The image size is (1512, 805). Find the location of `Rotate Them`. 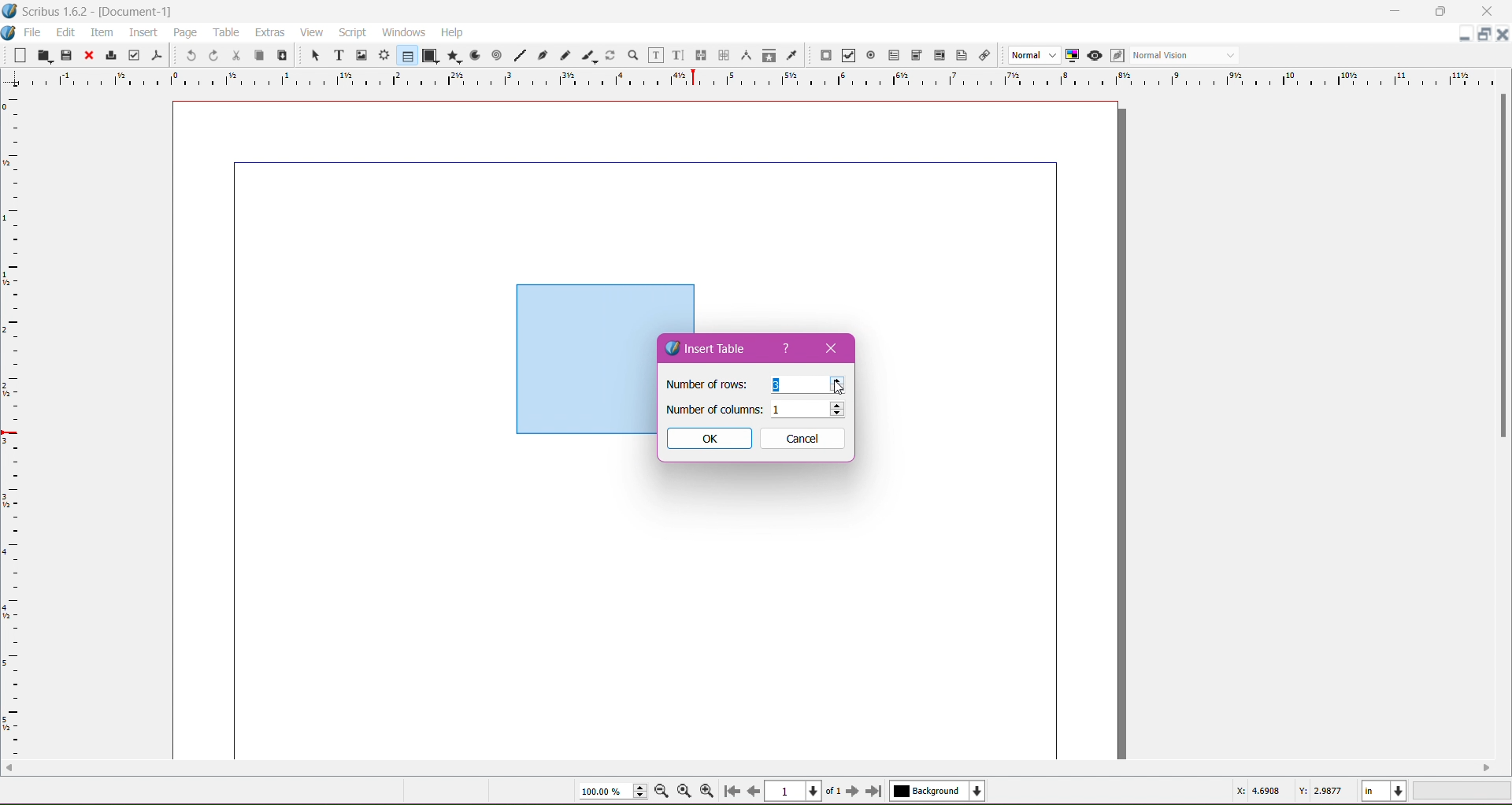

Rotate Them is located at coordinates (609, 54).